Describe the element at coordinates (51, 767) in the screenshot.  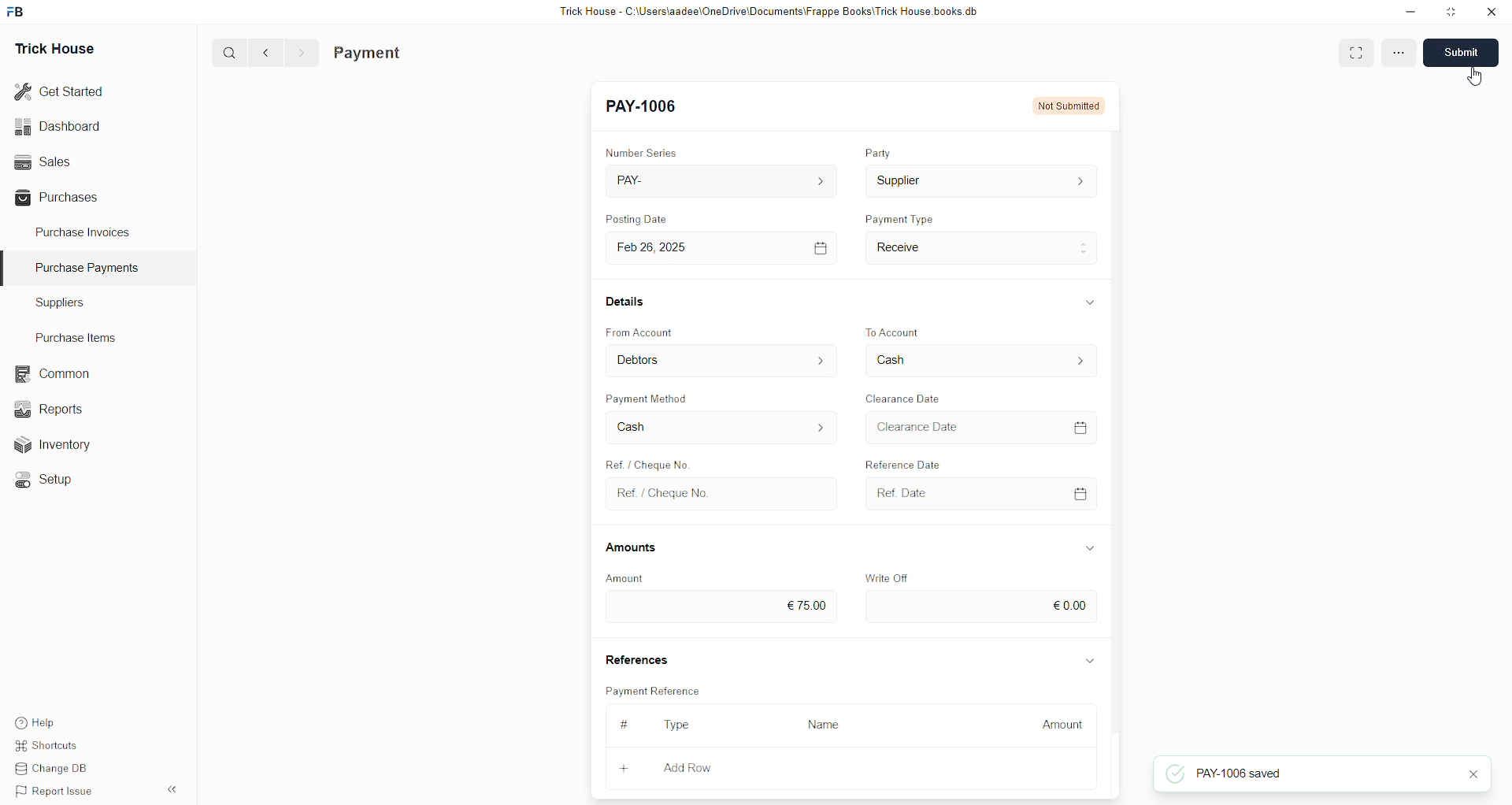
I see `Change DB` at that location.